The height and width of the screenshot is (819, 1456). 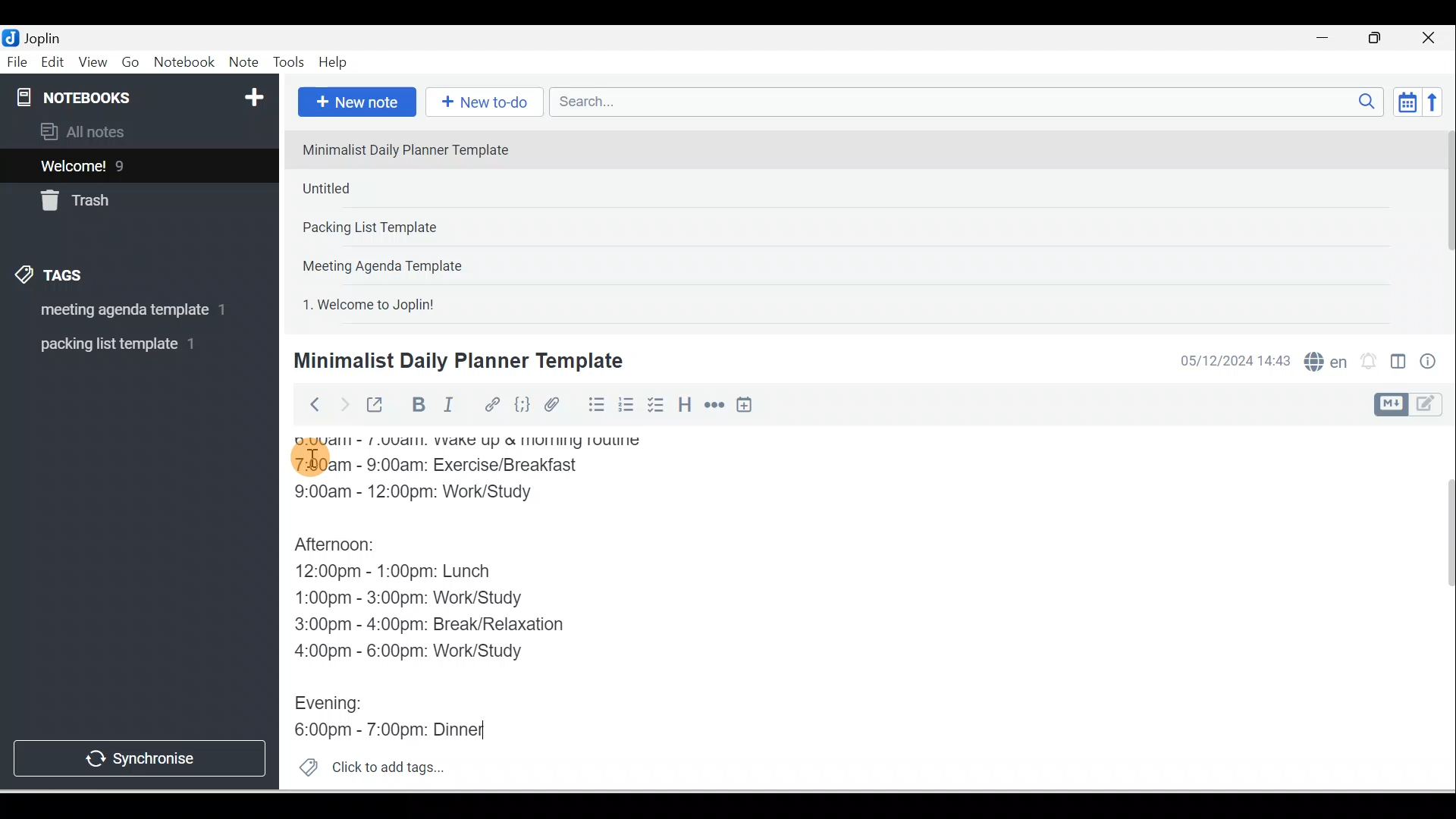 I want to click on All notes, so click(x=137, y=131).